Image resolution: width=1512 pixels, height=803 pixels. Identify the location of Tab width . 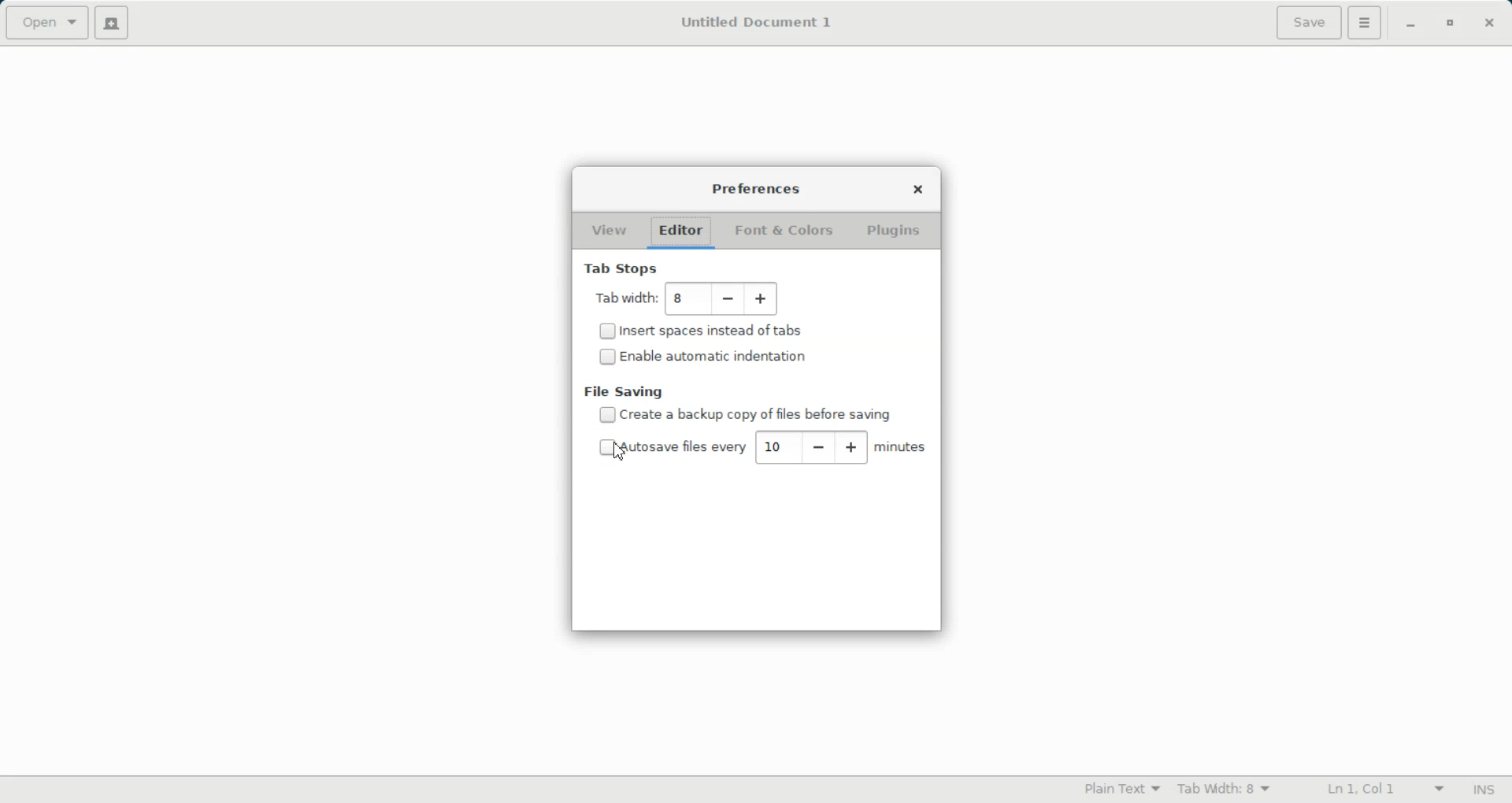
(623, 299).